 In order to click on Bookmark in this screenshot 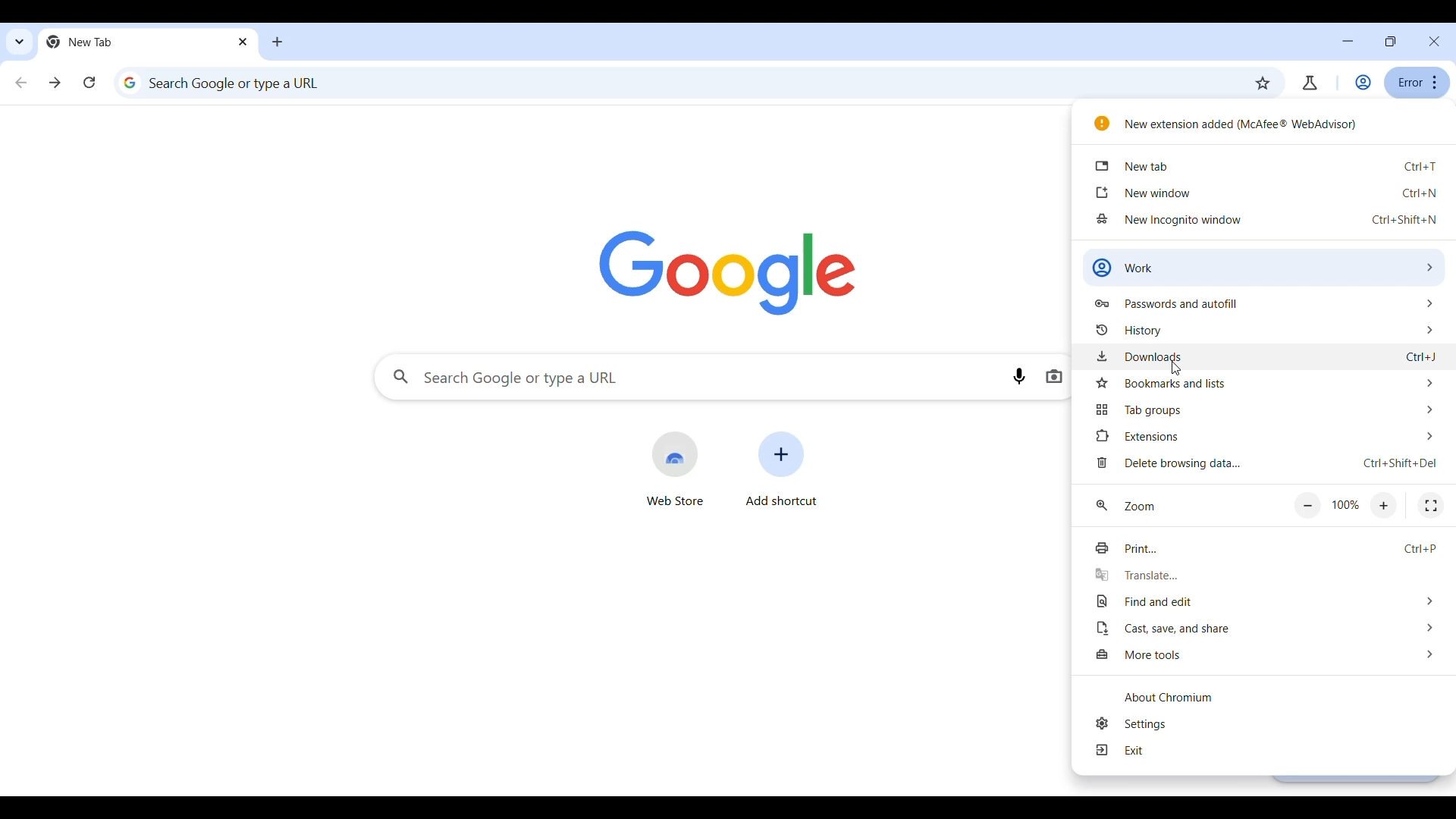, I will do `click(1263, 83)`.